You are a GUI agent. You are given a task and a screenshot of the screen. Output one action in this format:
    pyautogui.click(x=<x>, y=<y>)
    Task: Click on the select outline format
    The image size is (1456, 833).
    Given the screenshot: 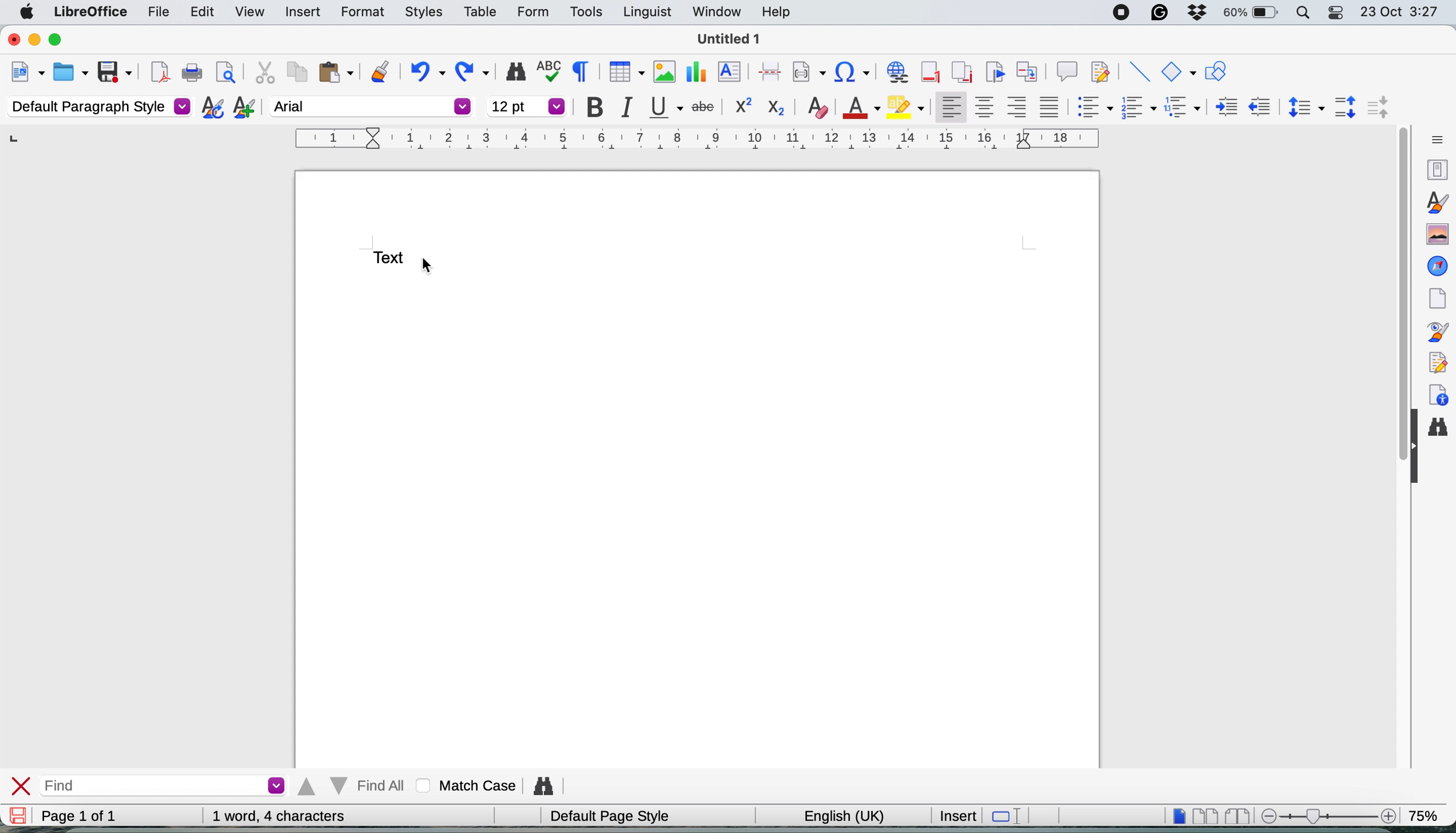 What is the action you would take?
    pyautogui.click(x=1183, y=108)
    